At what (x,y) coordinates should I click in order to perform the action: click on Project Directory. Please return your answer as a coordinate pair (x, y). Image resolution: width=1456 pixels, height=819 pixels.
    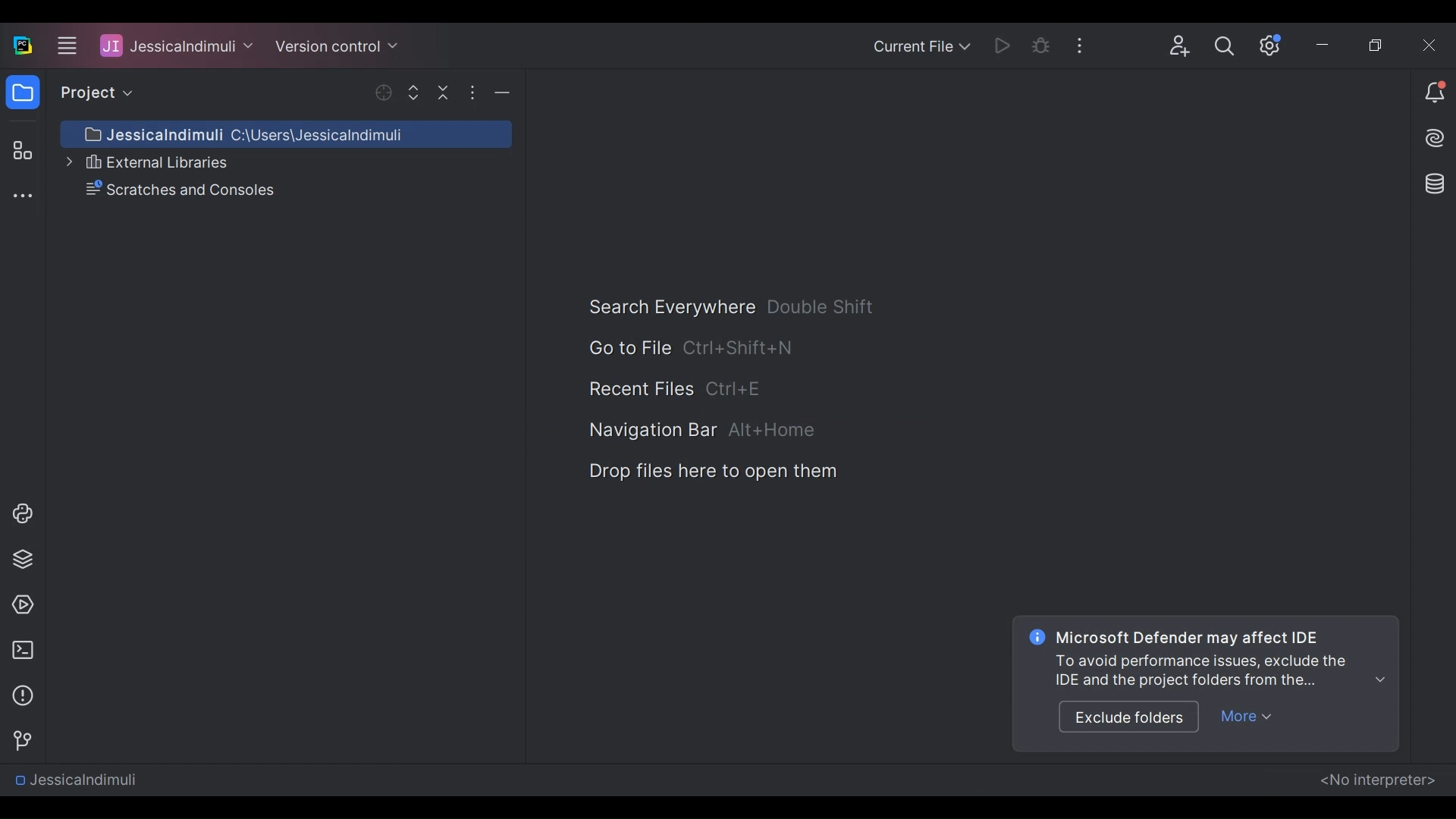
    Looking at the image, I should click on (259, 133).